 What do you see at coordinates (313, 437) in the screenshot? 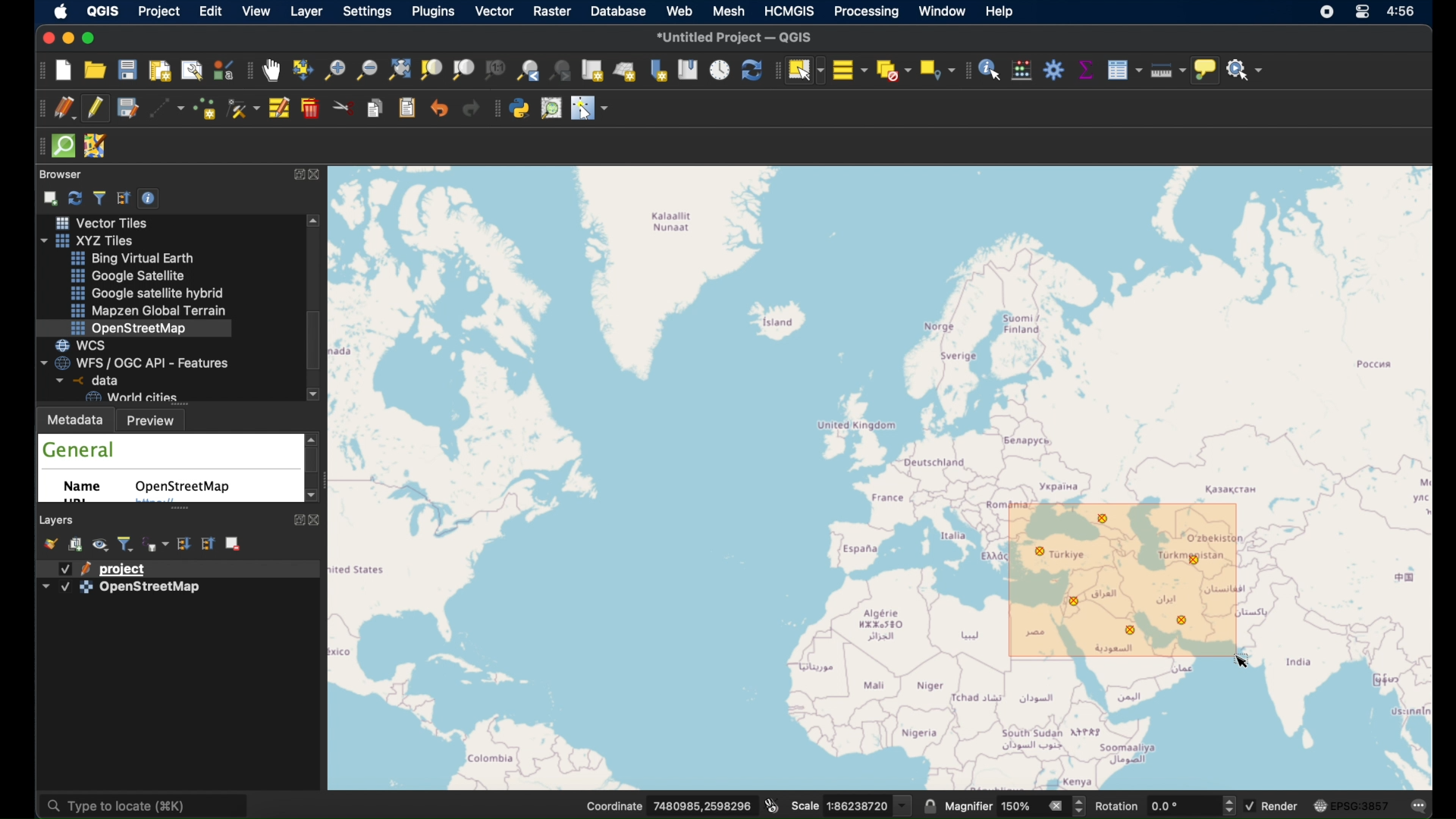
I see `scroll up arrow` at bounding box center [313, 437].